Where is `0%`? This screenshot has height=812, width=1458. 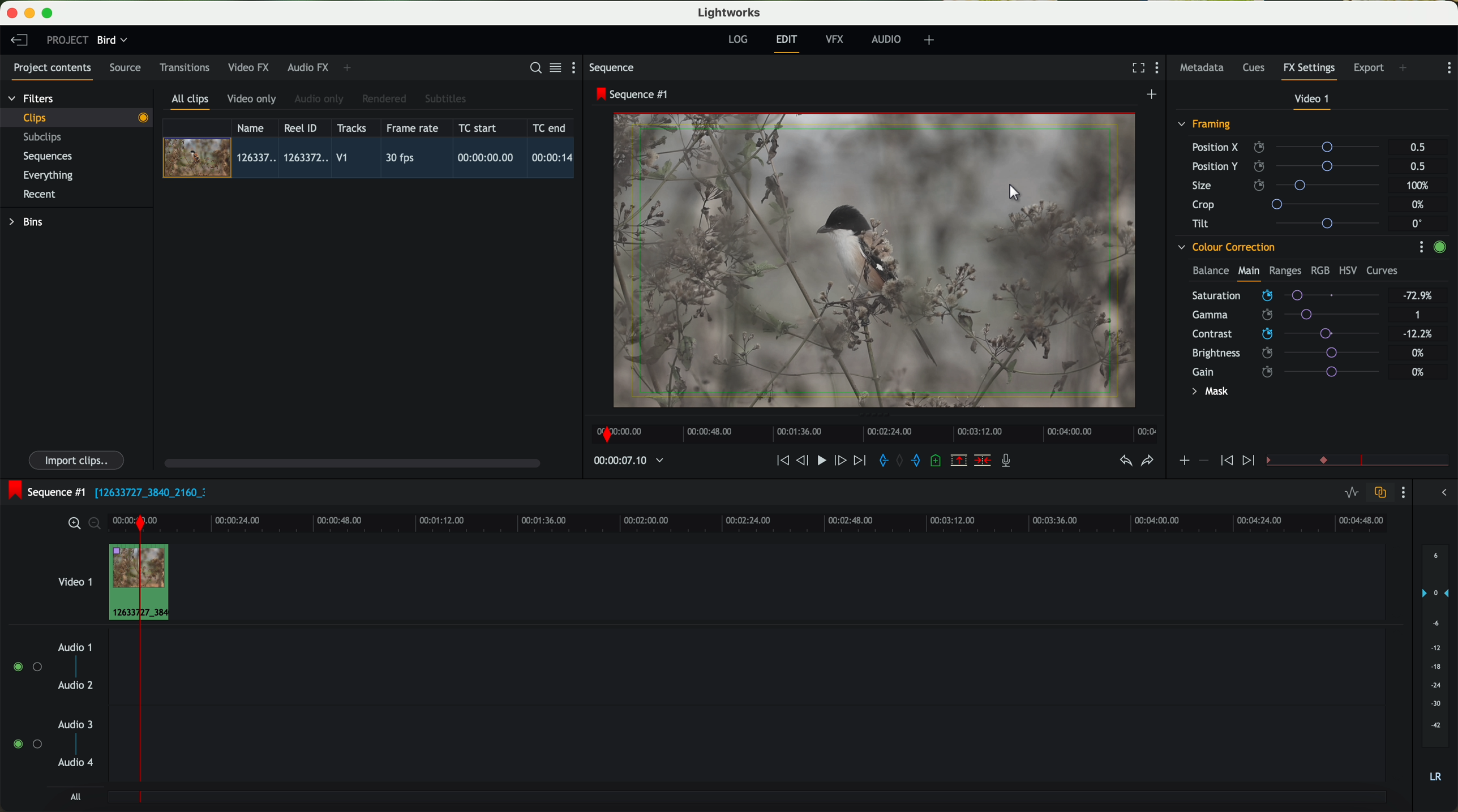
0% is located at coordinates (1418, 351).